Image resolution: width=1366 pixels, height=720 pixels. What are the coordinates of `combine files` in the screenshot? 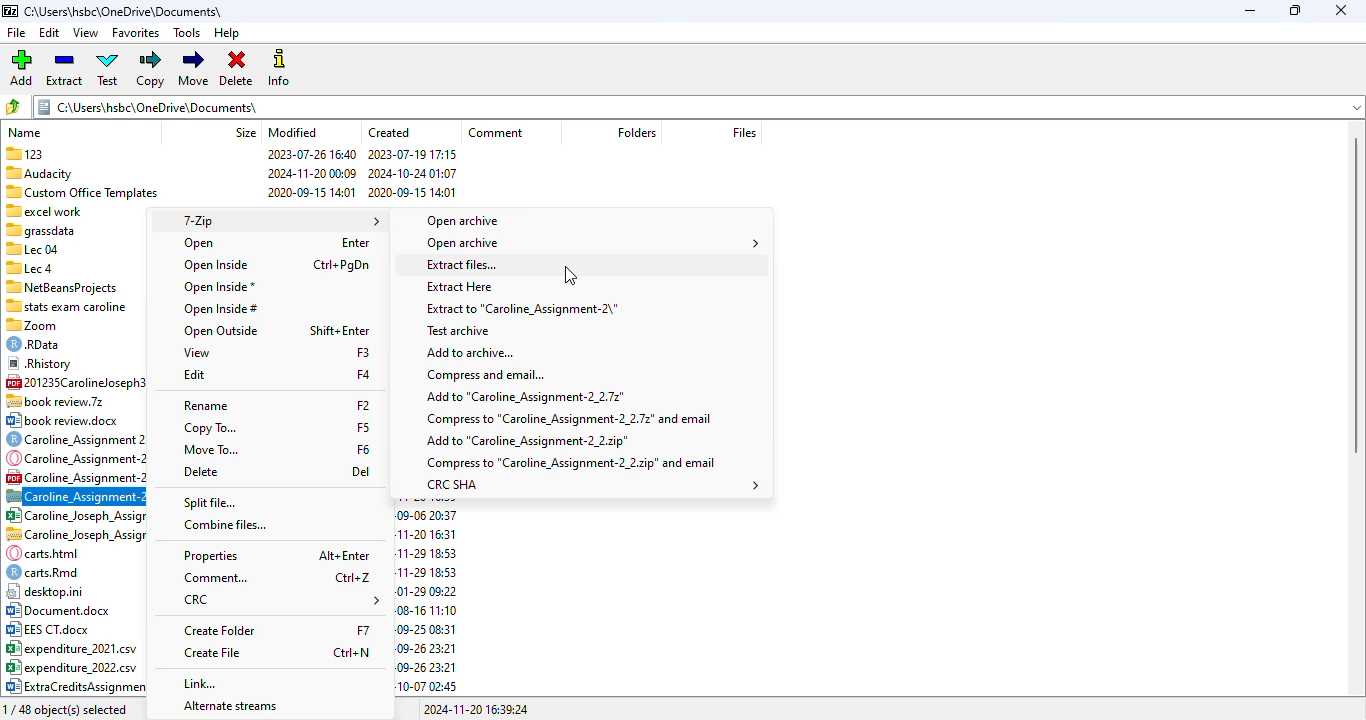 It's located at (225, 525).